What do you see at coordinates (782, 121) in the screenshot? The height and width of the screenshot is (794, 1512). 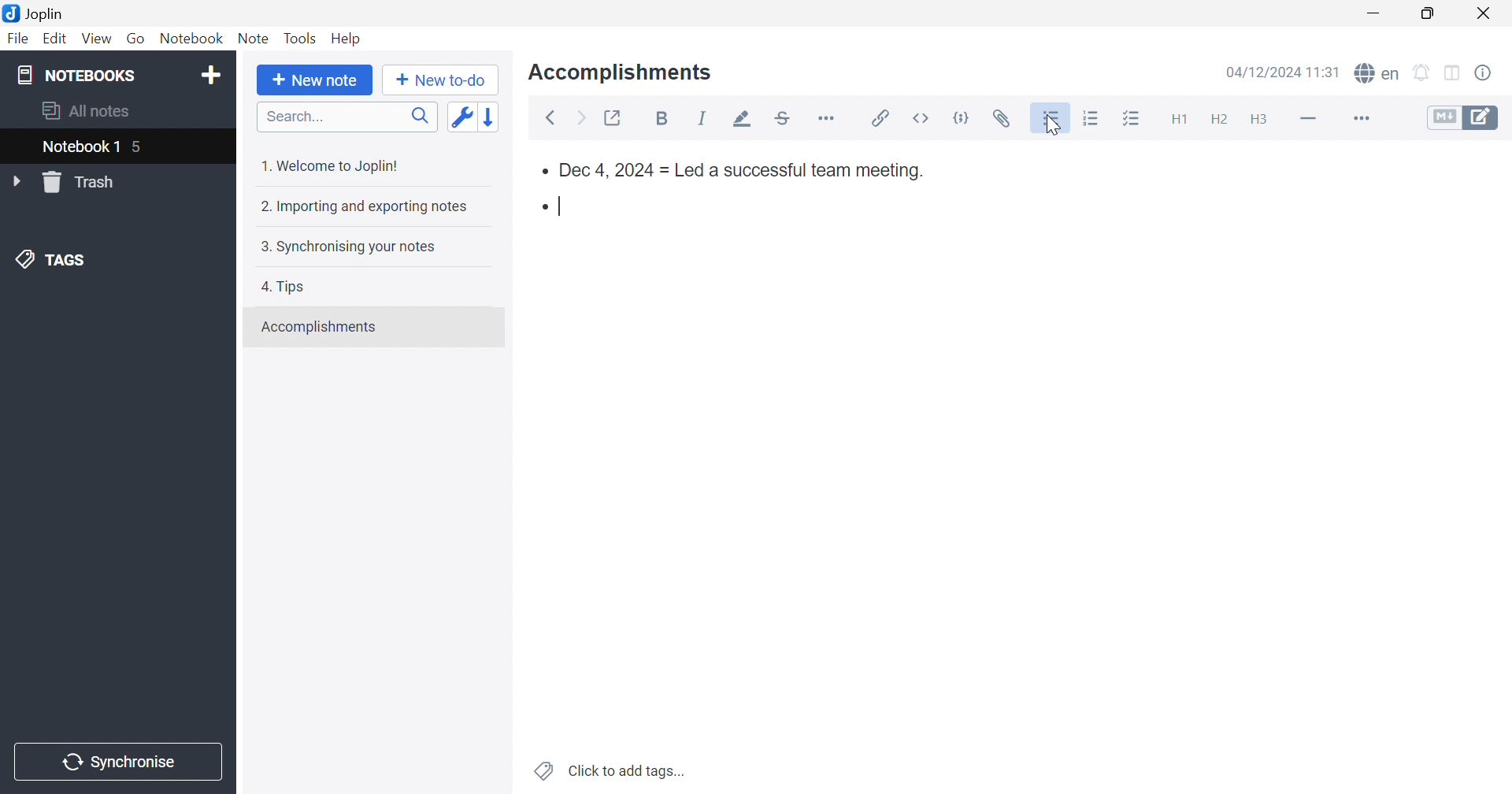 I see `Strikethrough` at bounding box center [782, 121].